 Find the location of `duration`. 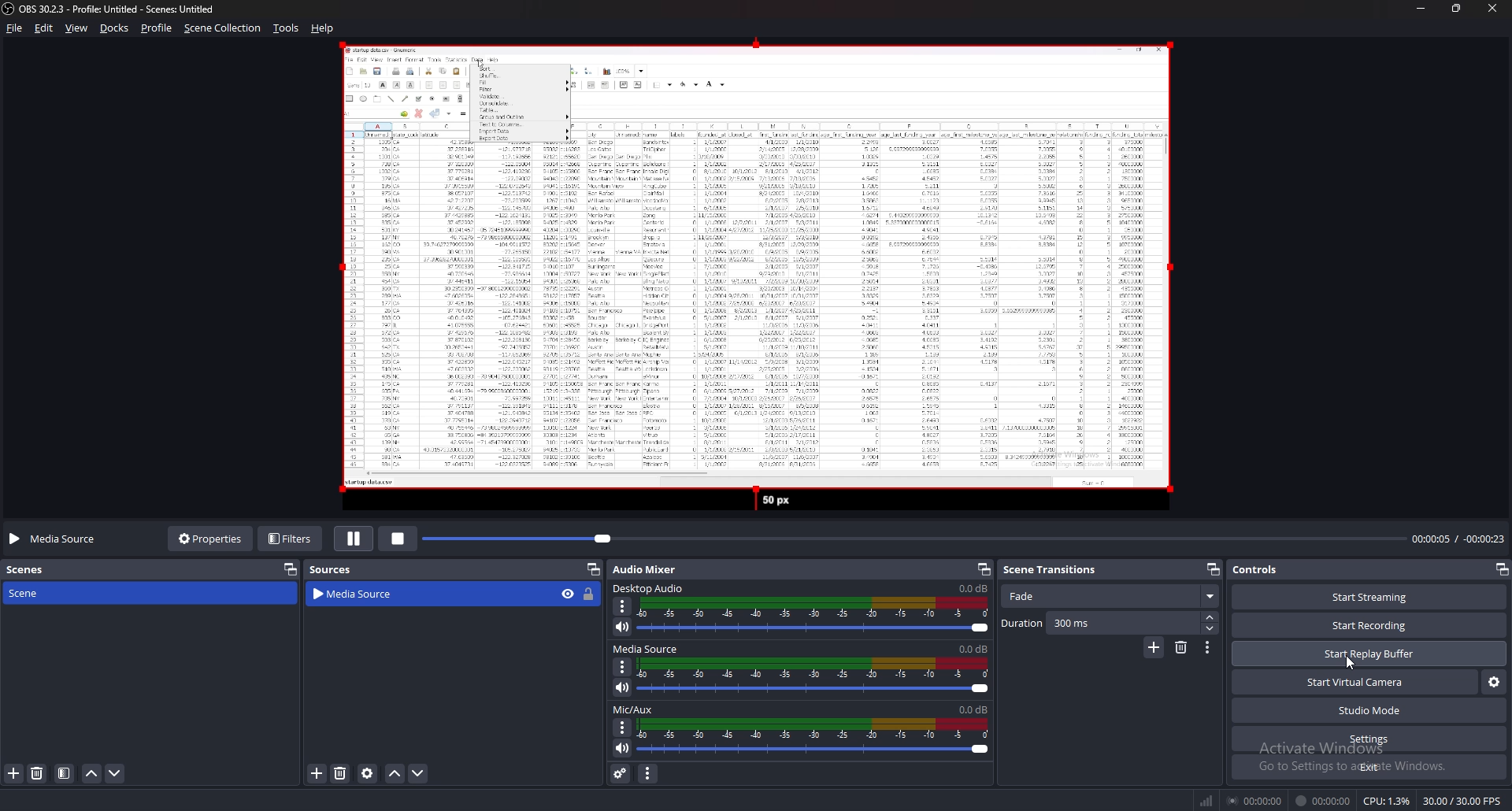

duration is located at coordinates (1100, 623).